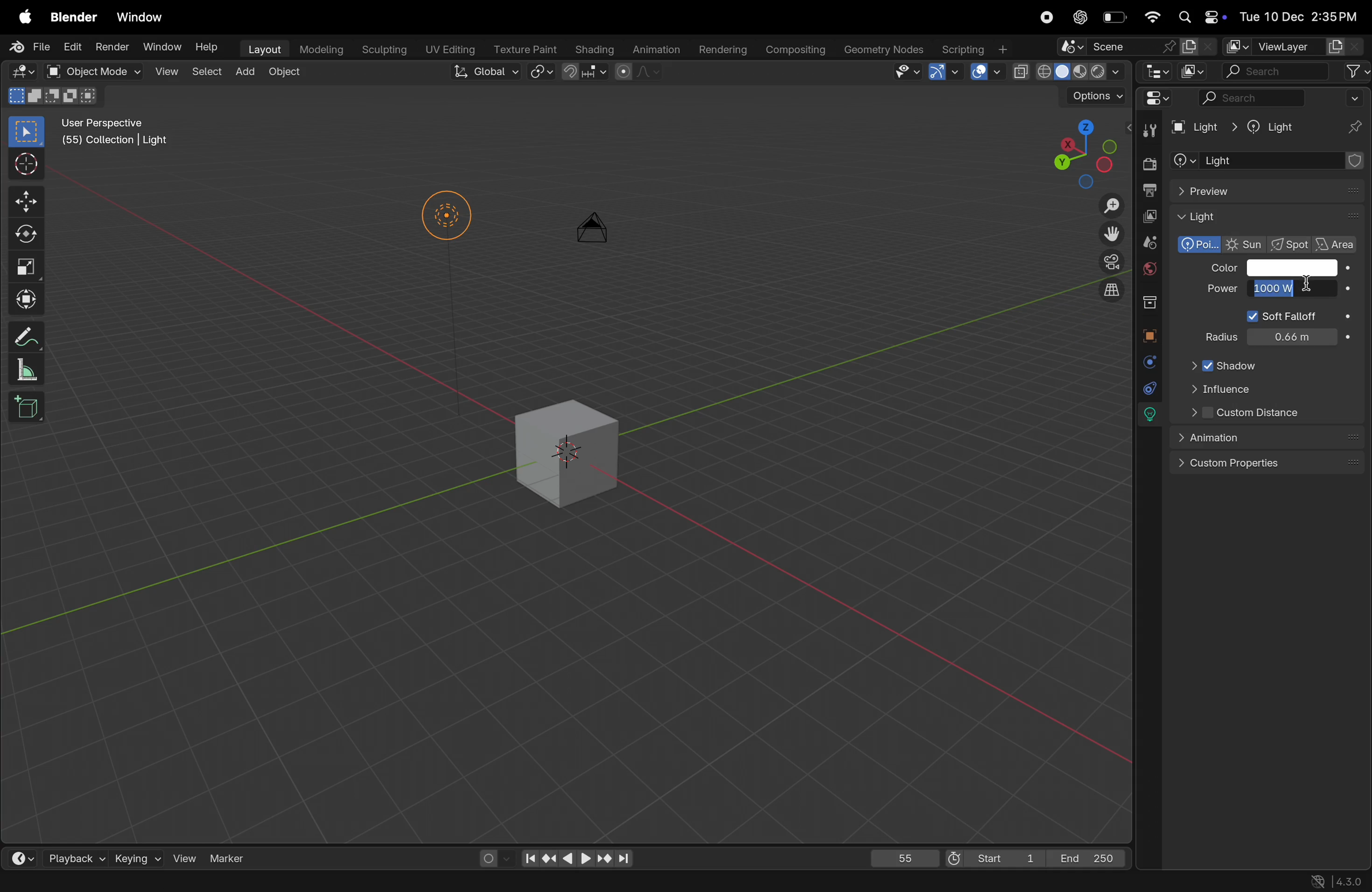  Describe the element at coordinates (976, 50) in the screenshot. I see `scripting` at that location.